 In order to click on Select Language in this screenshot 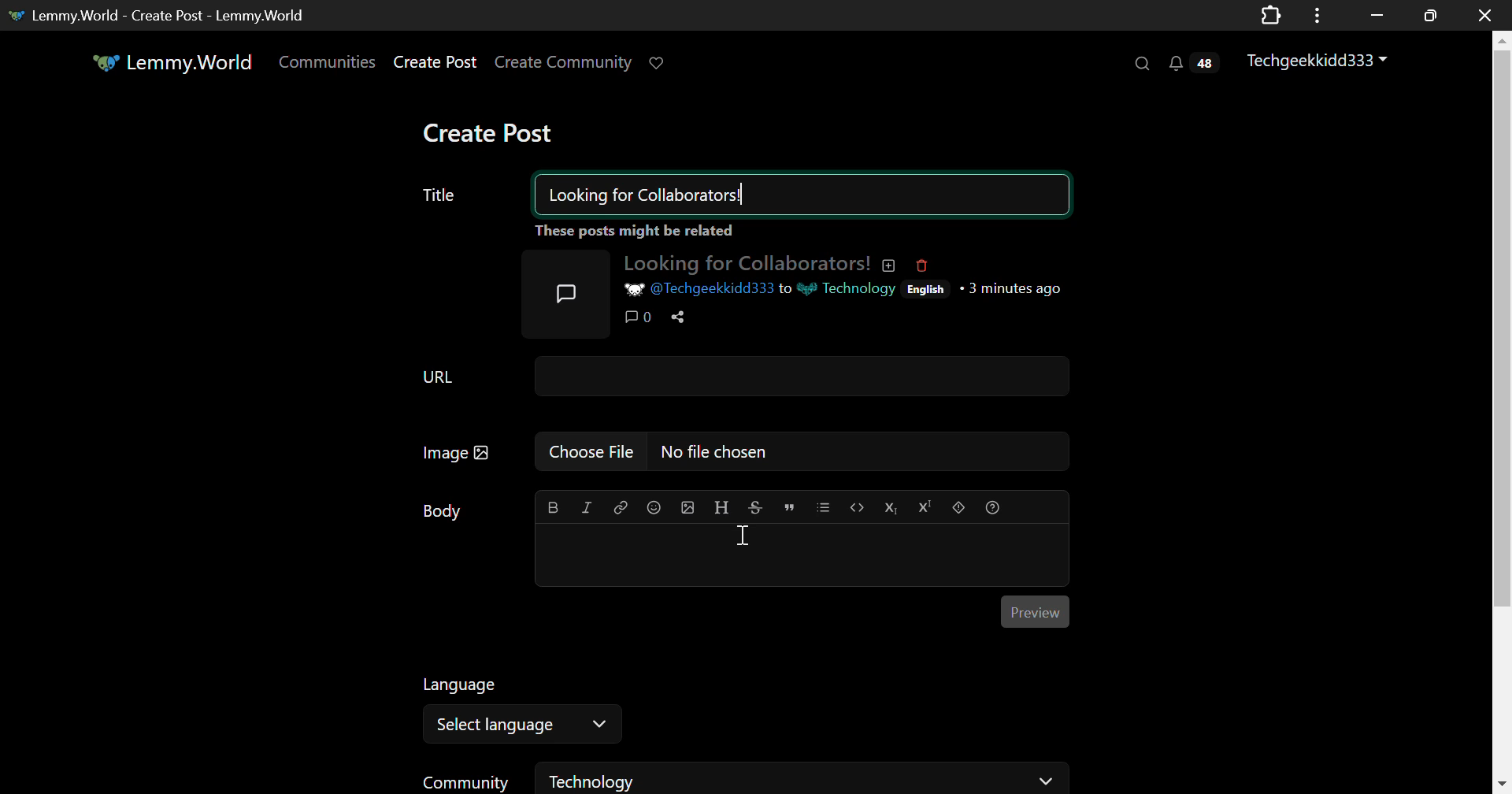, I will do `click(523, 725)`.